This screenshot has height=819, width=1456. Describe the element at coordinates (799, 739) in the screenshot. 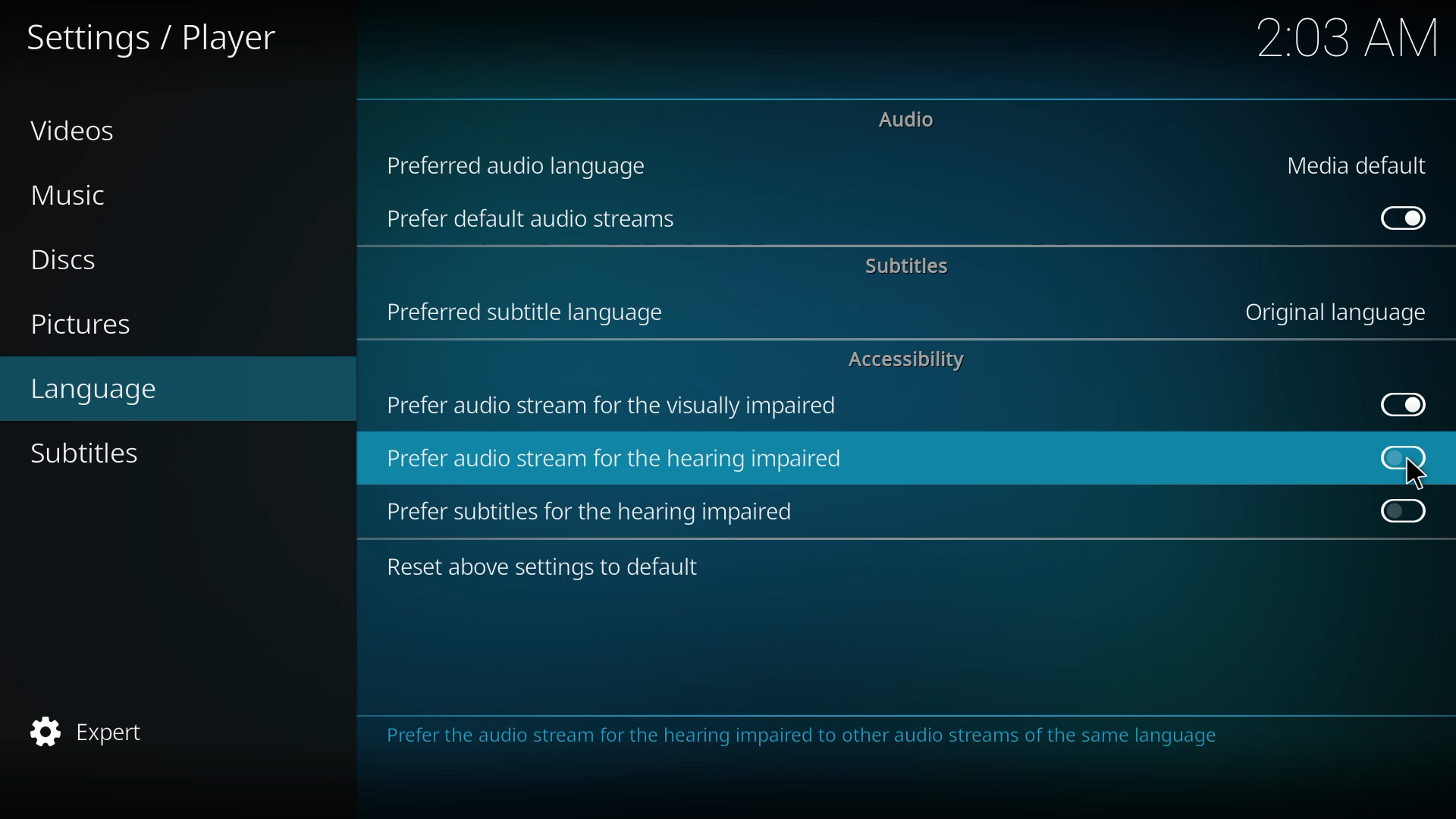

I see `info` at that location.